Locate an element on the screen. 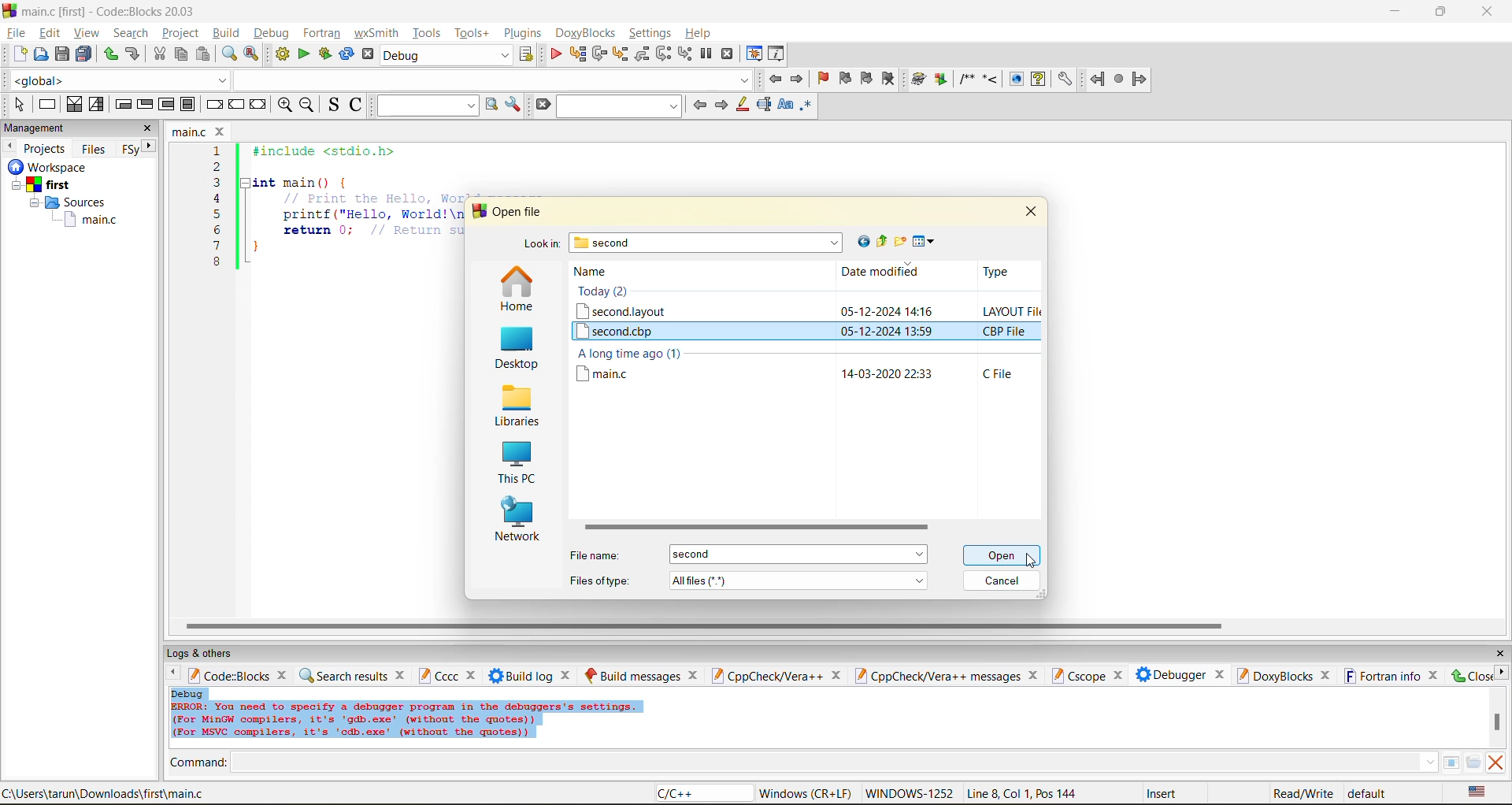 The image size is (1512, 805). file type is located at coordinates (600, 579).